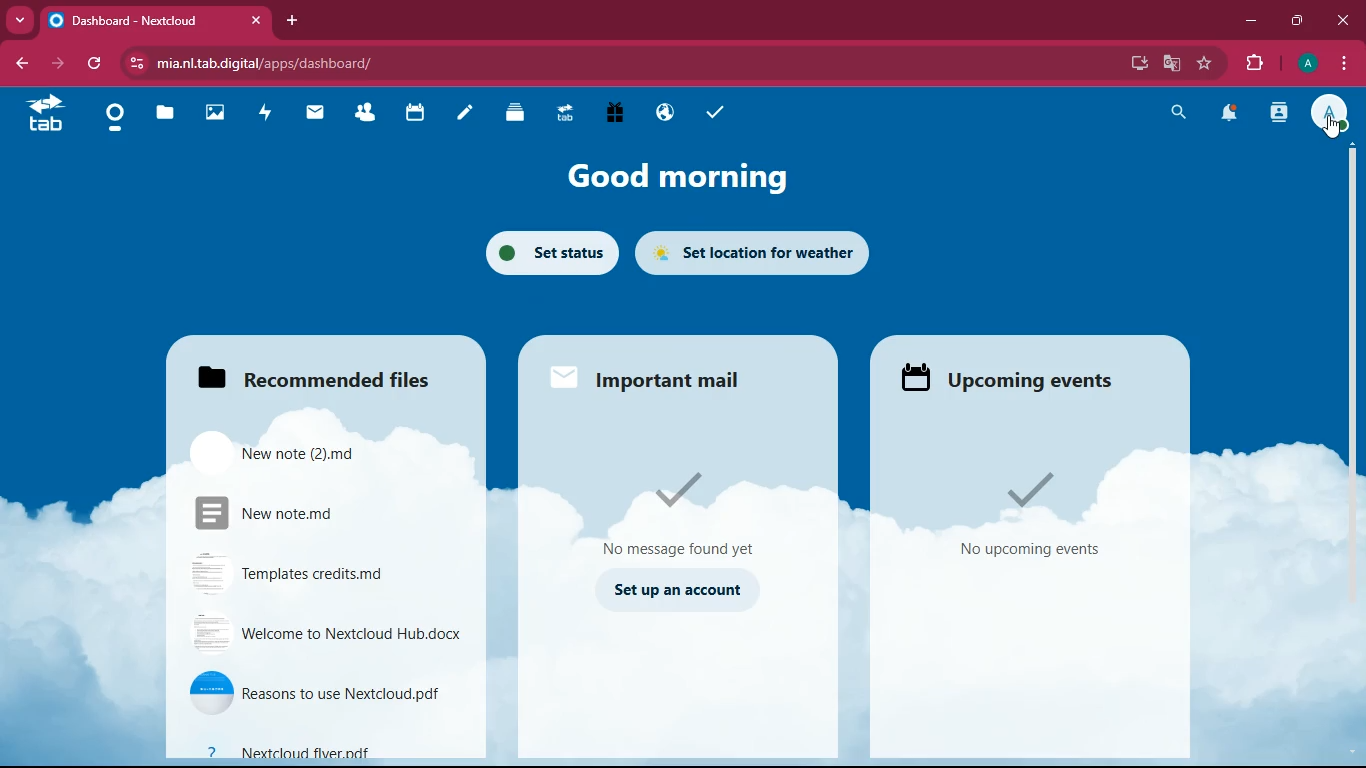 This screenshot has width=1366, height=768. What do you see at coordinates (362, 113) in the screenshot?
I see `friends` at bounding box center [362, 113].